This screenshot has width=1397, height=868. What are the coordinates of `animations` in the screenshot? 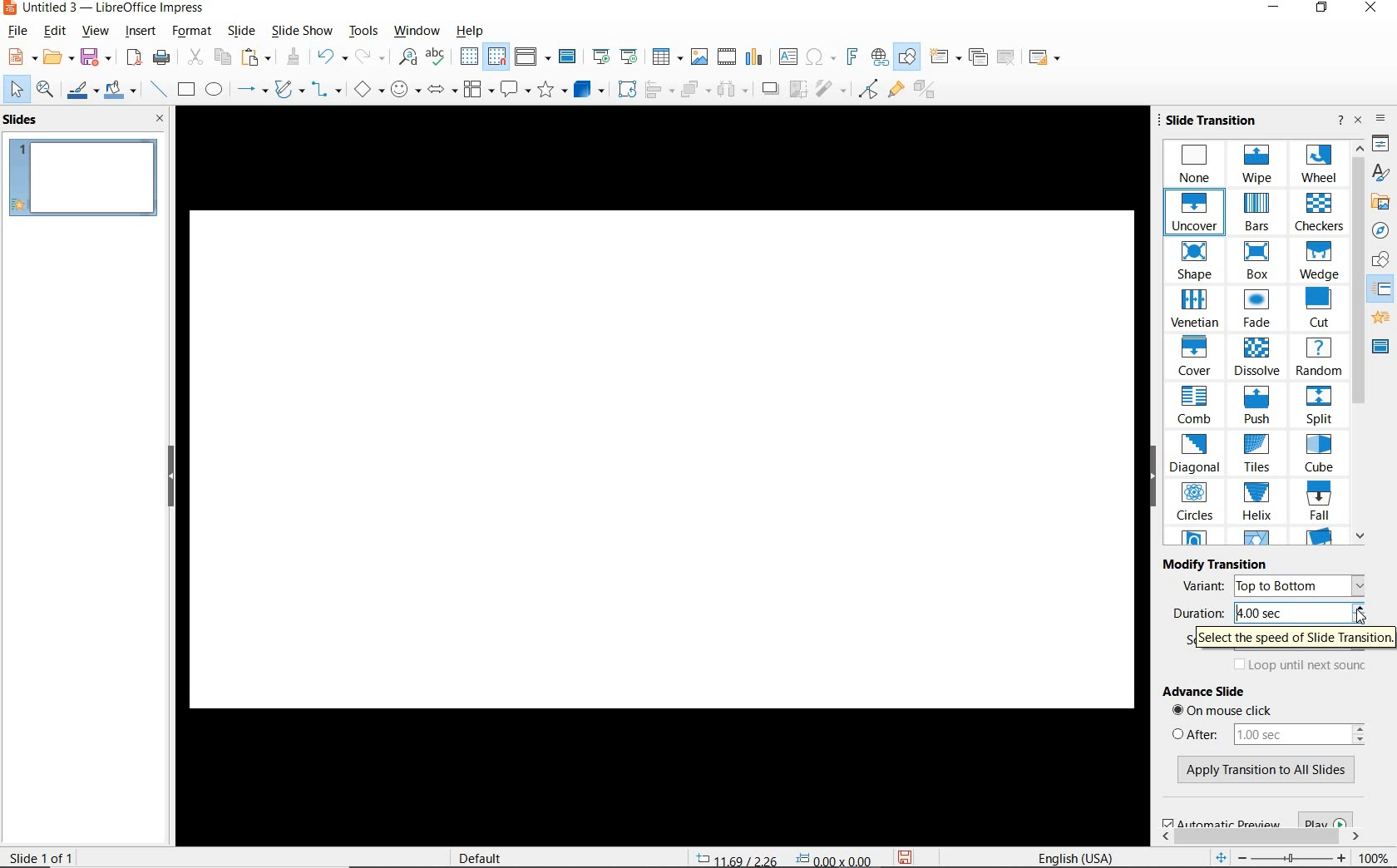 It's located at (1380, 318).